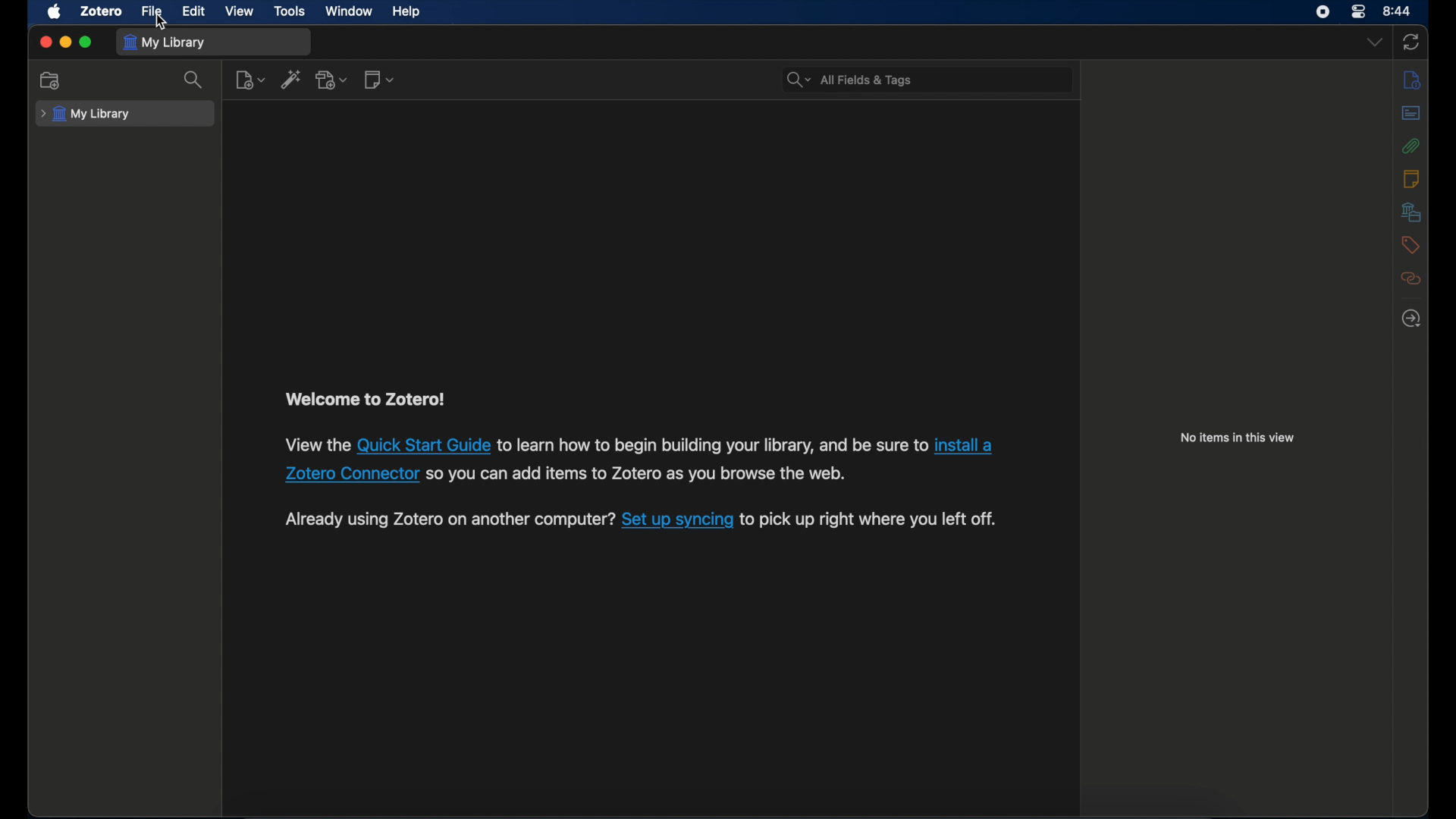  What do you see at coordinates (449, 520) in the screenshot?
I see `Already using Zotero on another computer? Set up syncing to pick up right where you left off.` at bounding box center [449, 520].